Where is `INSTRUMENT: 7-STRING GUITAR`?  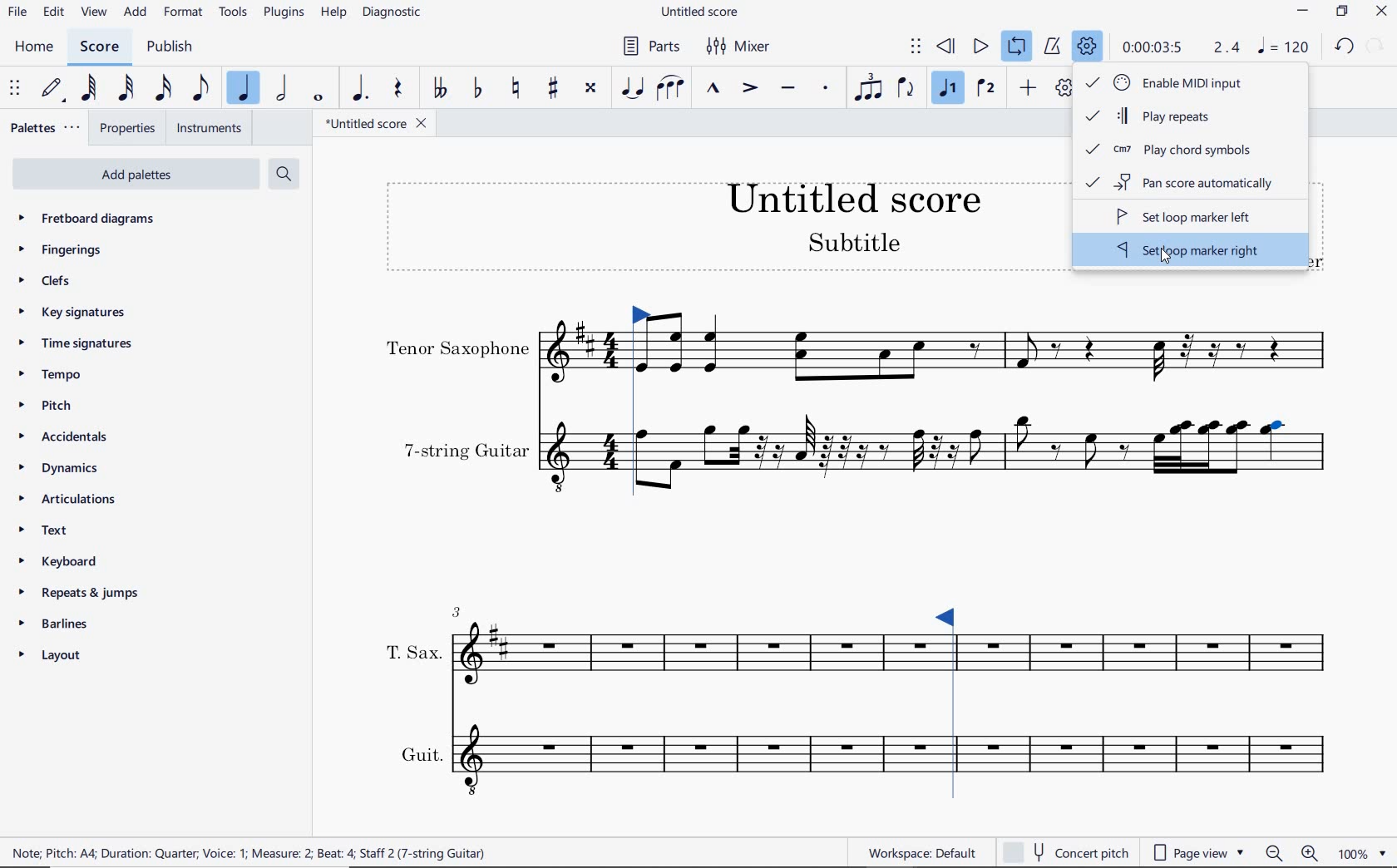 INSTRUMENT: 7-STRING GUITAR is located at coordinates (1280, 472).